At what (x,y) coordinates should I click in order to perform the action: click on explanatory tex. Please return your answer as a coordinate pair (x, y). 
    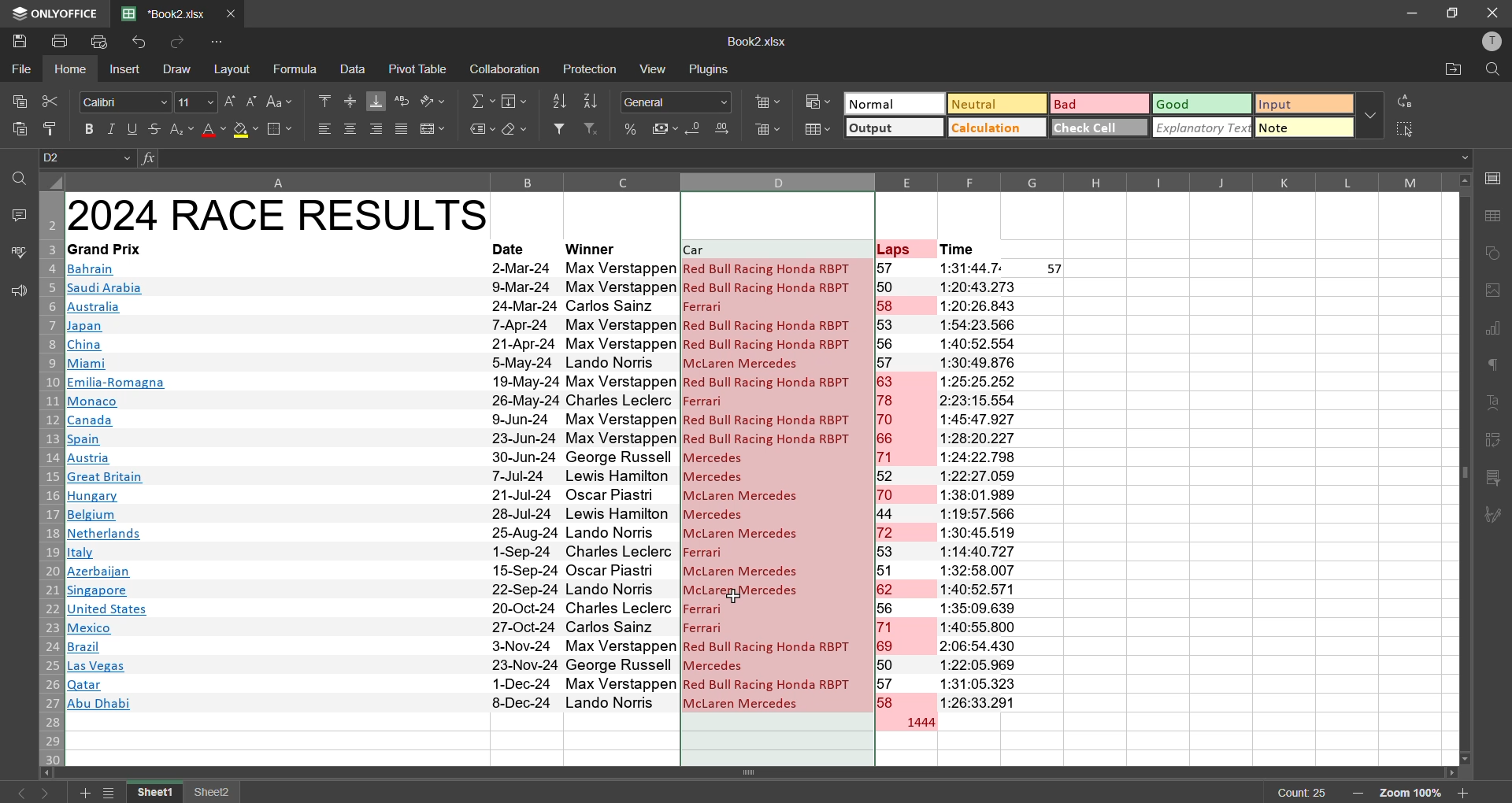
    Looking at the image, I should click on (1203, 128).